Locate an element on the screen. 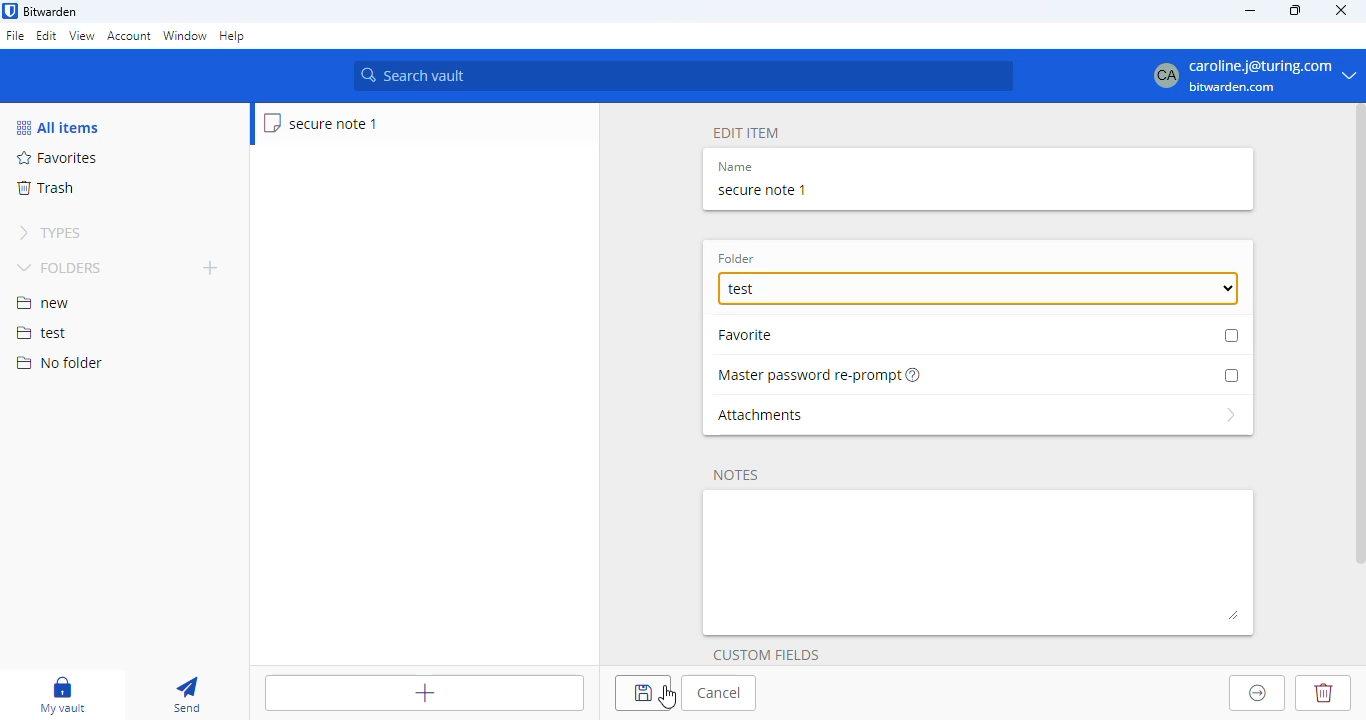 Image resolution: width=1366 pixels, height=720 pixels. my vault is located at coordinates (62, 695).